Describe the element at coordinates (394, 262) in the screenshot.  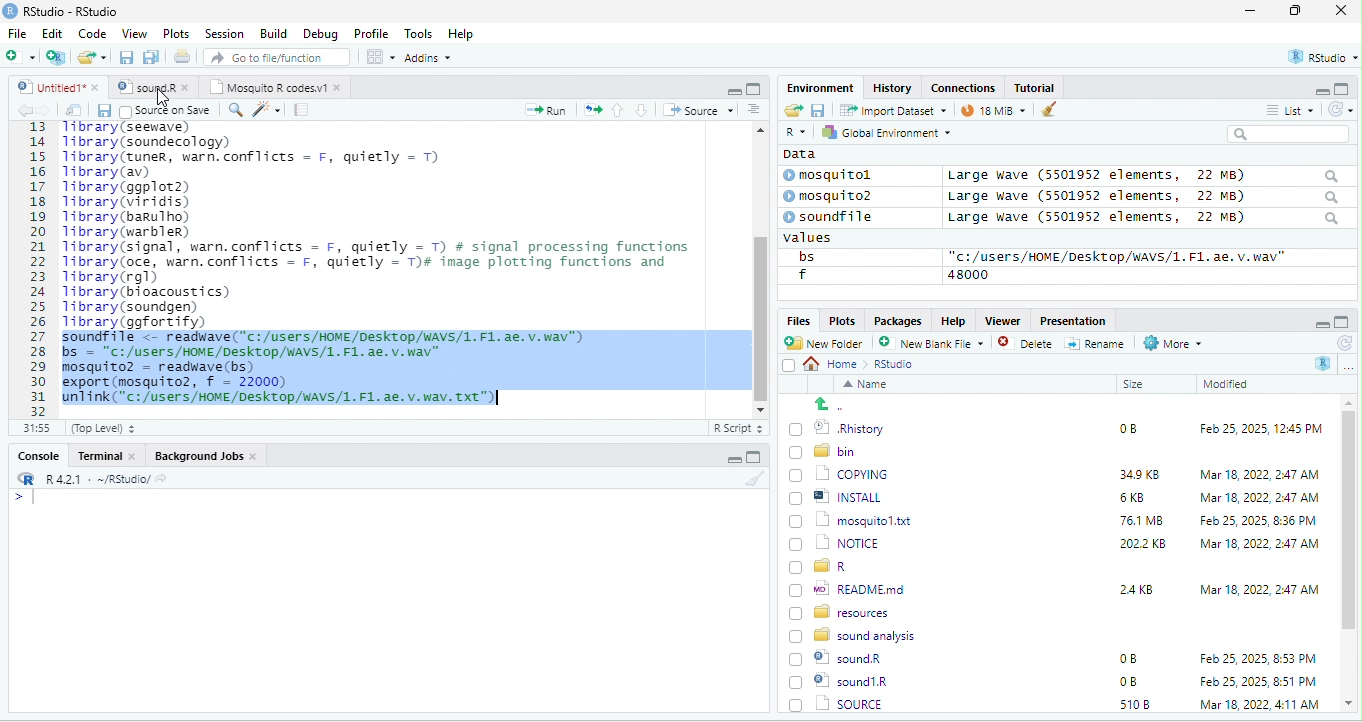
I see `fipt 2 (0) ©] Rhistory 0B Feb 25, 2025, 12:45 PM
oO bin
0) 1) copying 349K8 Mar 18,2022, 247 AM
(J ®] INSTALL 6KB Mar 18, 2022, 247 AM
(0 1) mosauitoxt T6IMB Feb 25,2025 8:36 PM
0 [3 norce 2002K8 Mar 18, 2022, 247 AM
0 @r
(7) %) READMEmd 248 Mar 18, 2022, 247 AM
(0) resources
[5 sound analysis
(0) ©) soundiR LO Feb 25, 2025, 851 PM
0 1 source s108 Mar 18, 2022, 41 AM
(71 Uninstallexe 1302KB  Apr26,2022 1.00PM ¥` at that location.